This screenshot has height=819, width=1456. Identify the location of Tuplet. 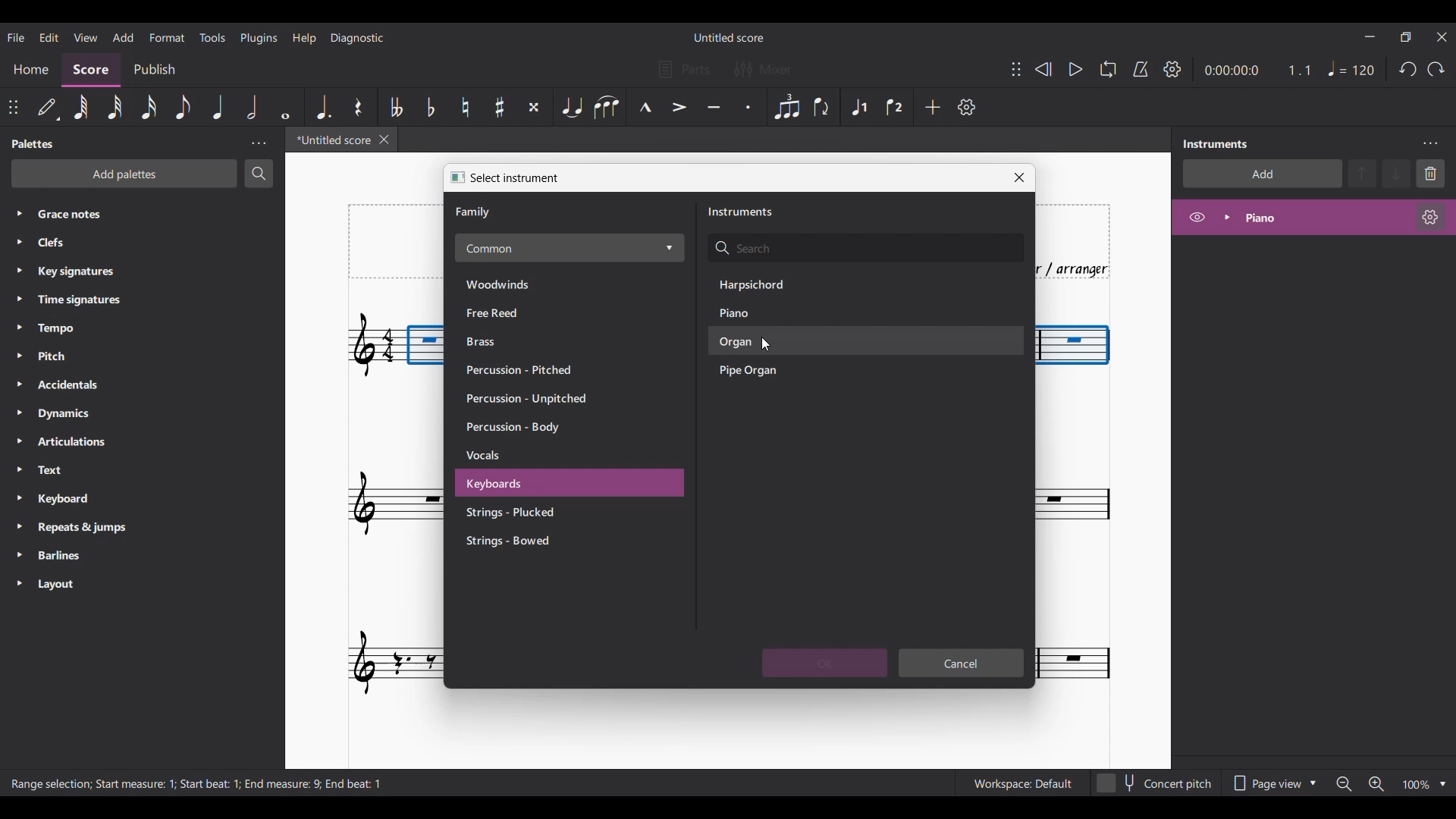
(787, 108).